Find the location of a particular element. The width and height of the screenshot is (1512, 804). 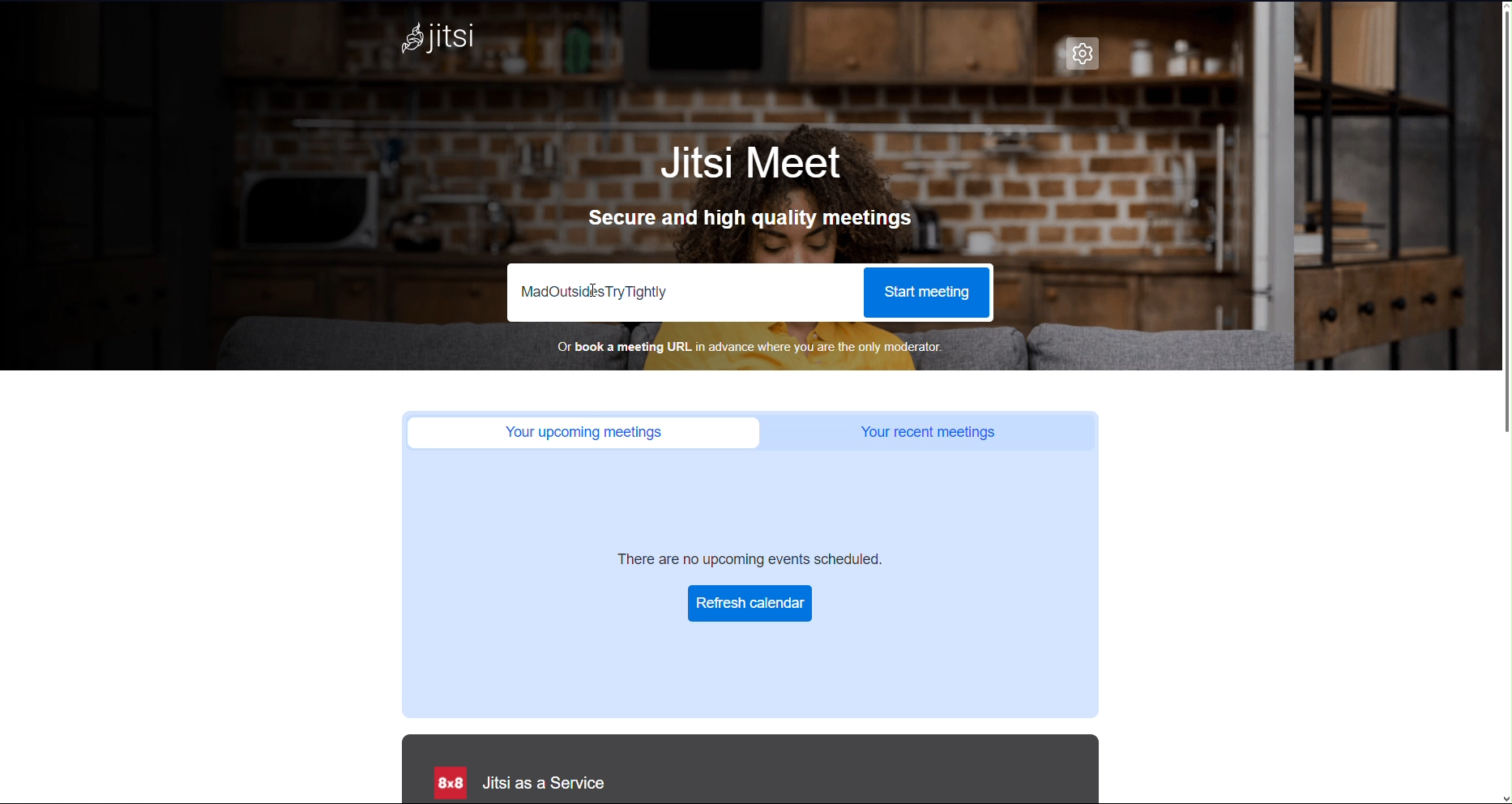

Settings is located at coordinates (1084, 53).